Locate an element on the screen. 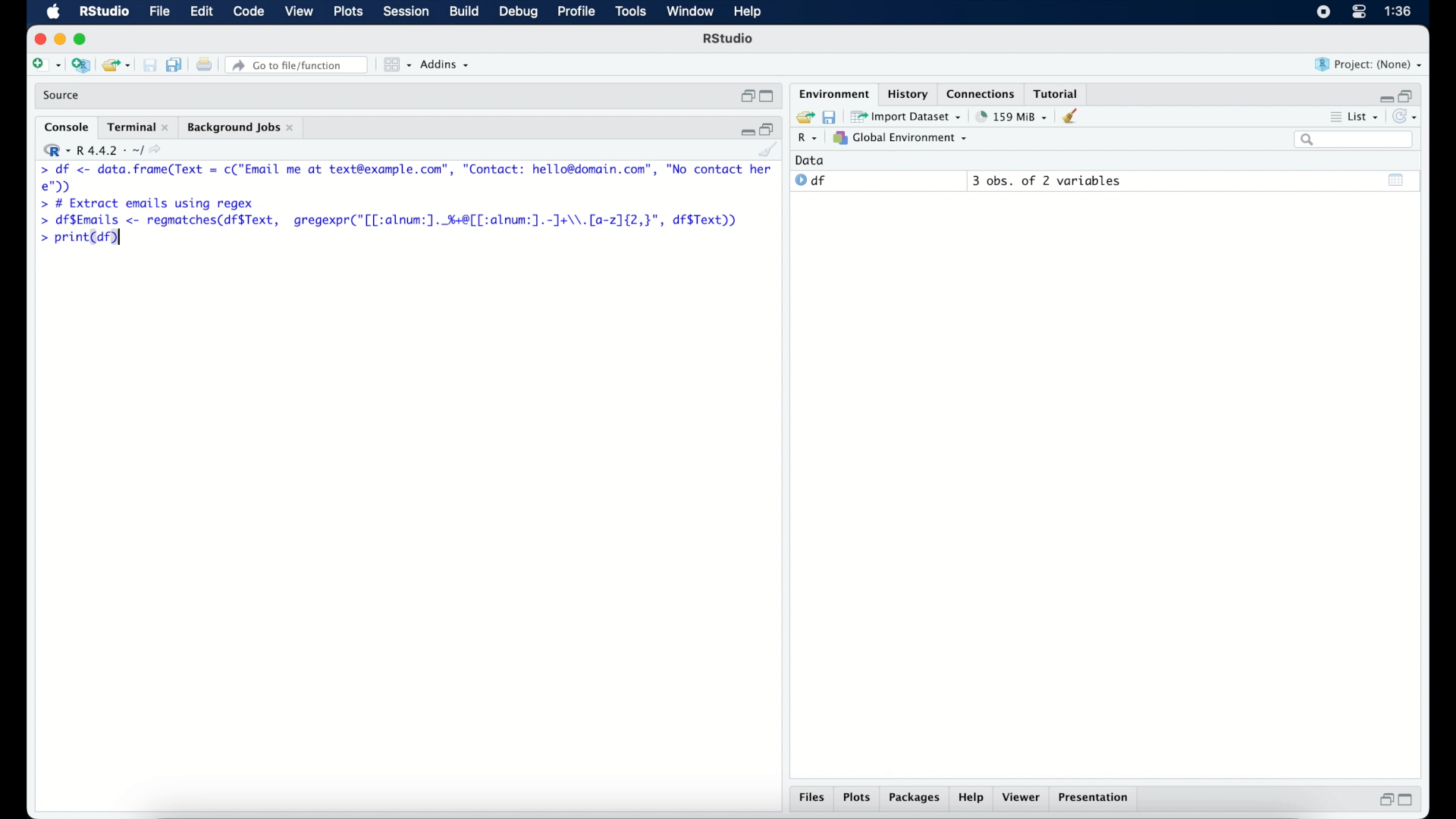  files is located at coordinates (810, 797).